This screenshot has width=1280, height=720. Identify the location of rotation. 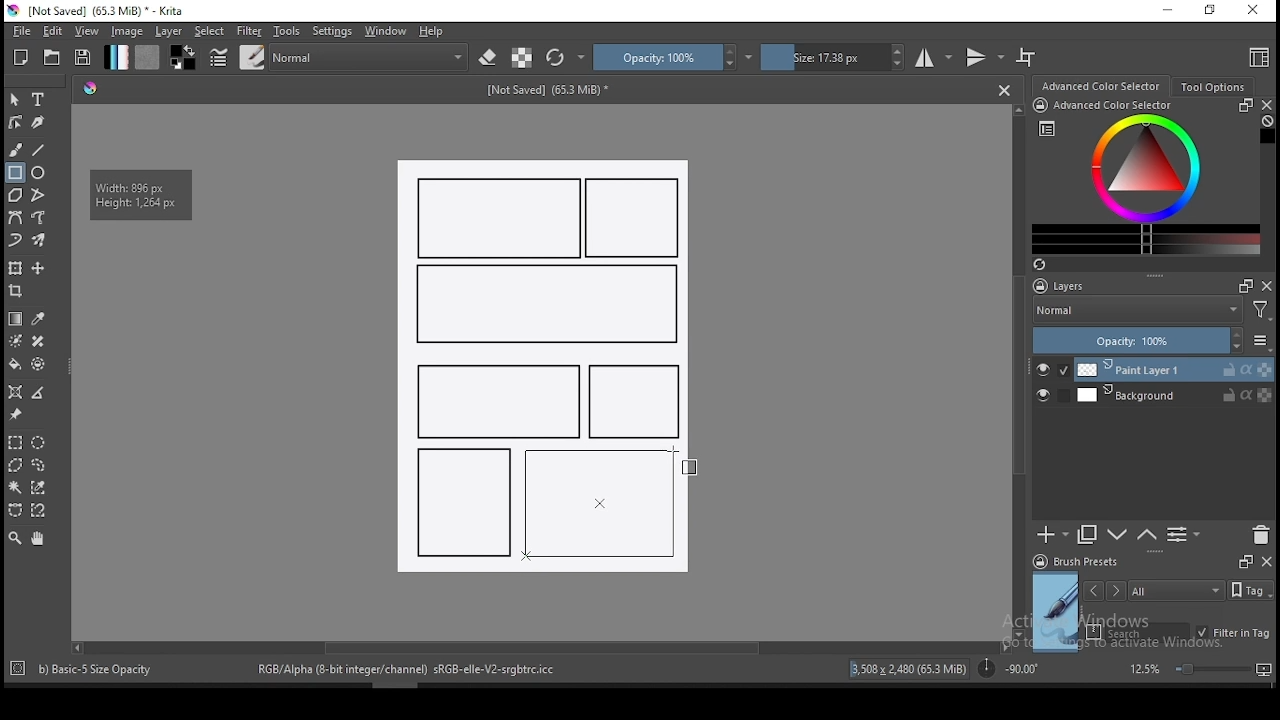
(1008, 667).